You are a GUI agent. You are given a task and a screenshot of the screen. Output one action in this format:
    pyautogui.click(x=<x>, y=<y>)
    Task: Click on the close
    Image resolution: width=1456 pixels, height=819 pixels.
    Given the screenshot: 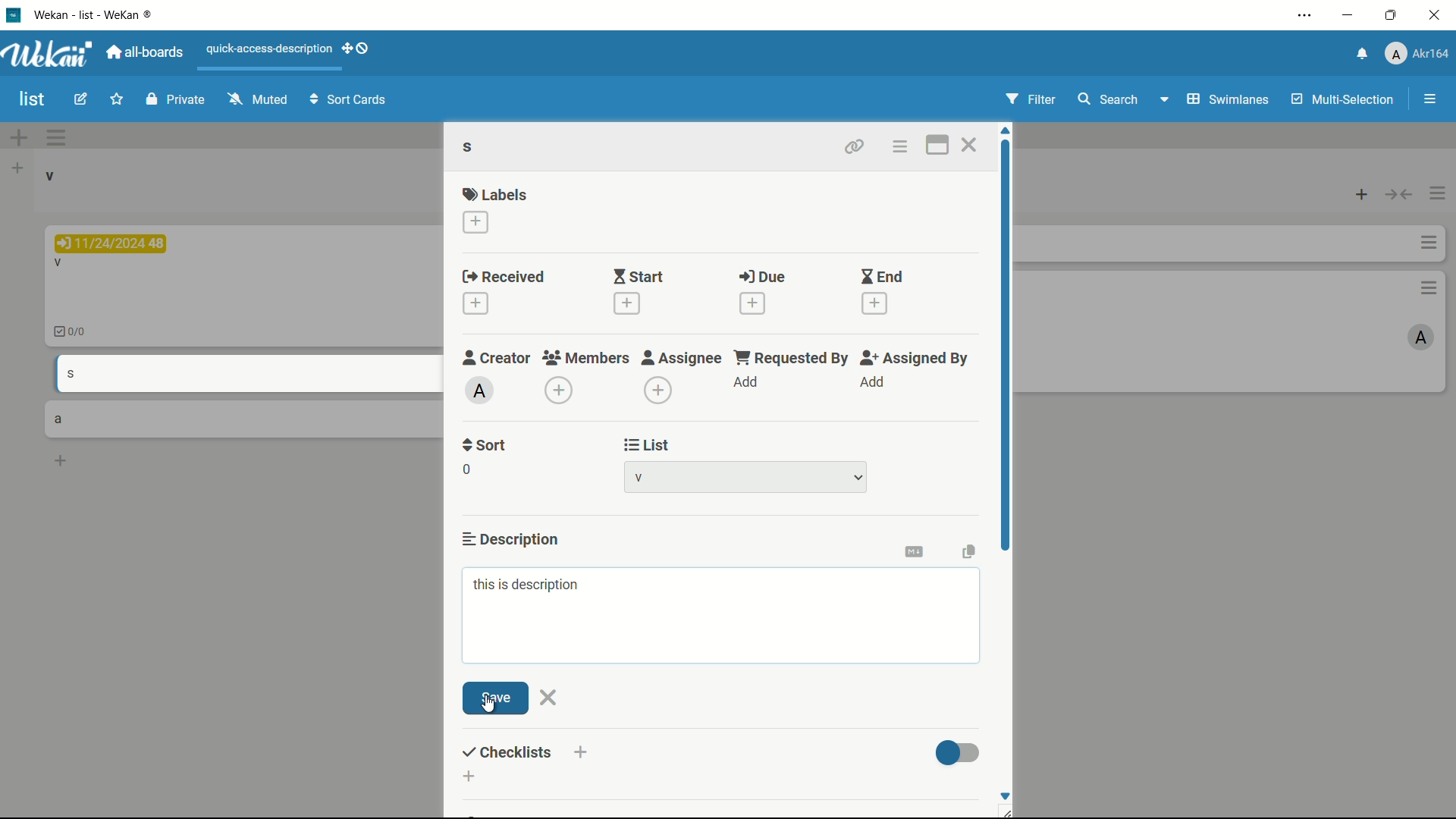 What is the action you would take?
    pyautogui.click(x=549, y=698)
    